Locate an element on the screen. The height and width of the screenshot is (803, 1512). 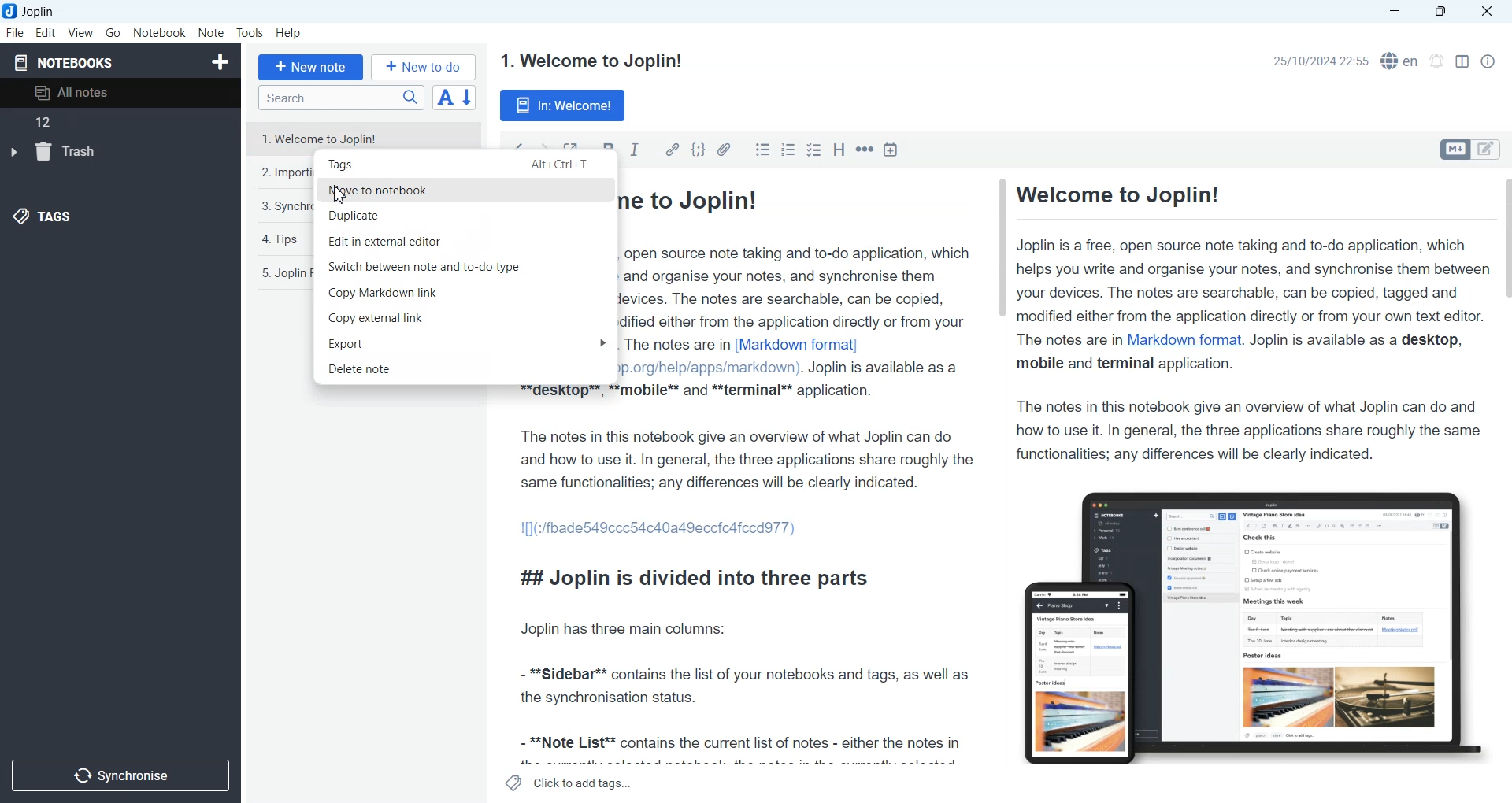
Edit in external editor is located at coordinates (465, 241).